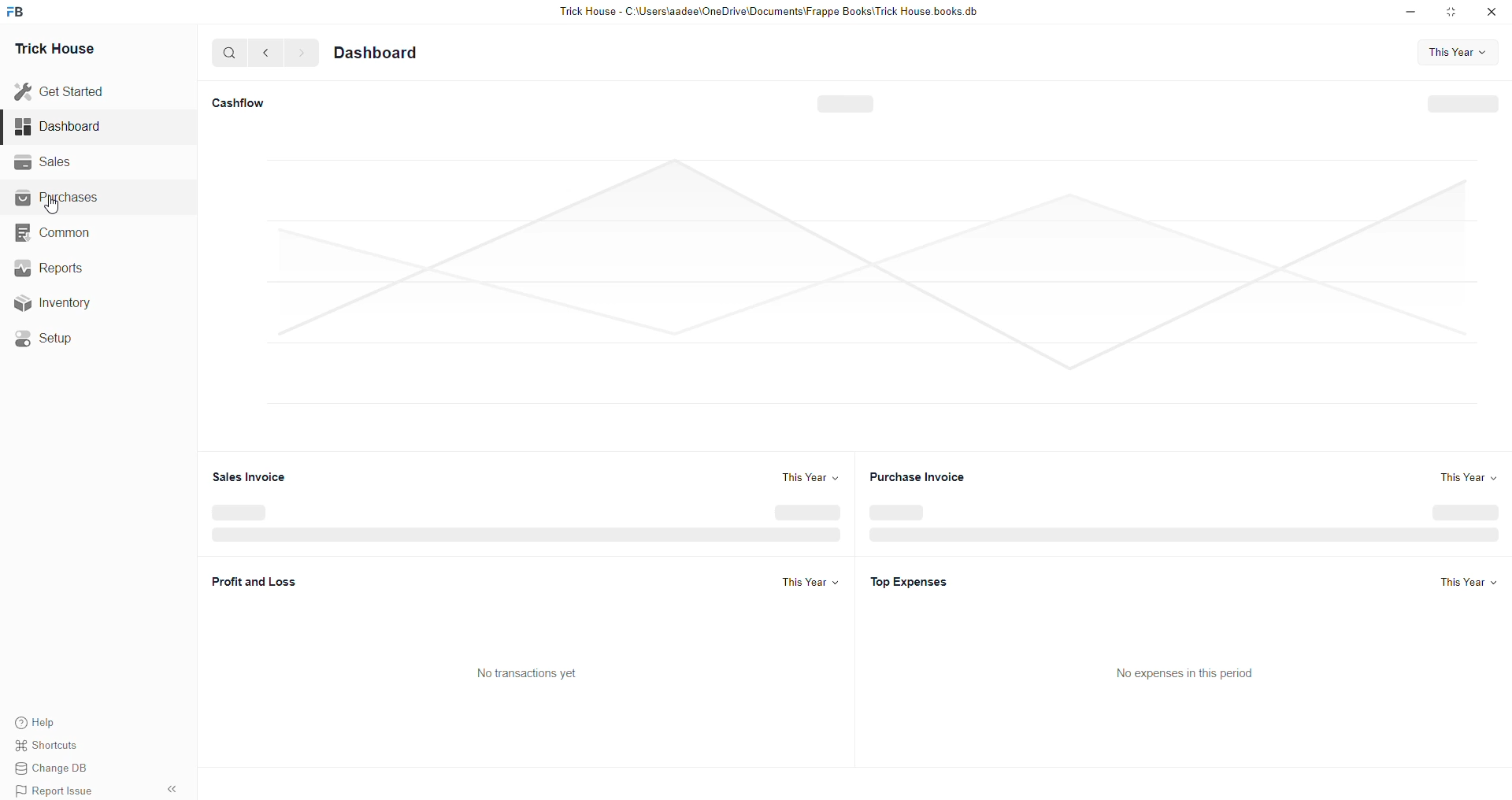 Image resolution: width=1512 pixels, height=800 pixels. What do you see at coordinates (250, 476) in the screenshot?
I see `Sales Invoice` at bounding box center [250, 476].